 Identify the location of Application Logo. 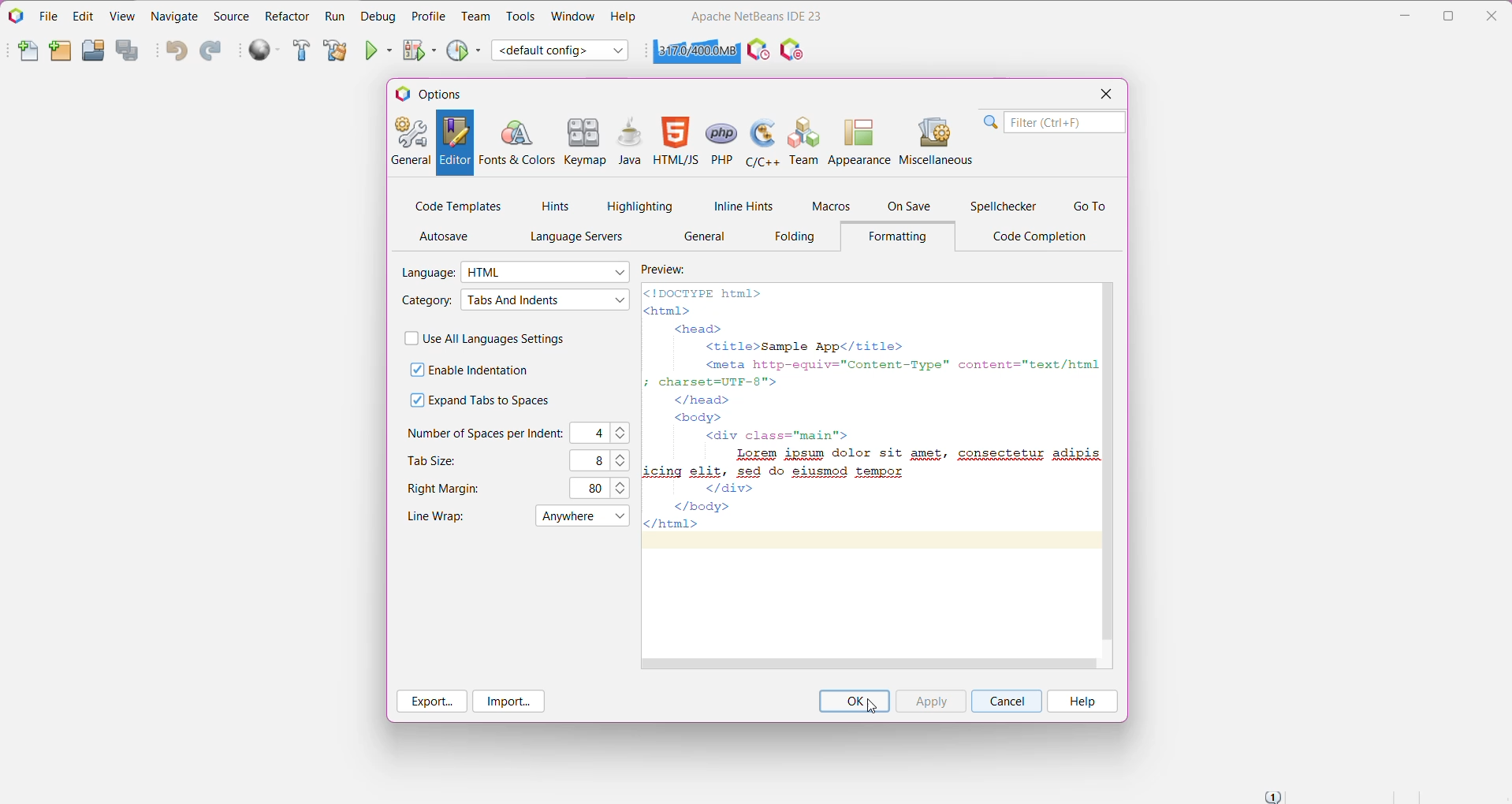
(15, 15).